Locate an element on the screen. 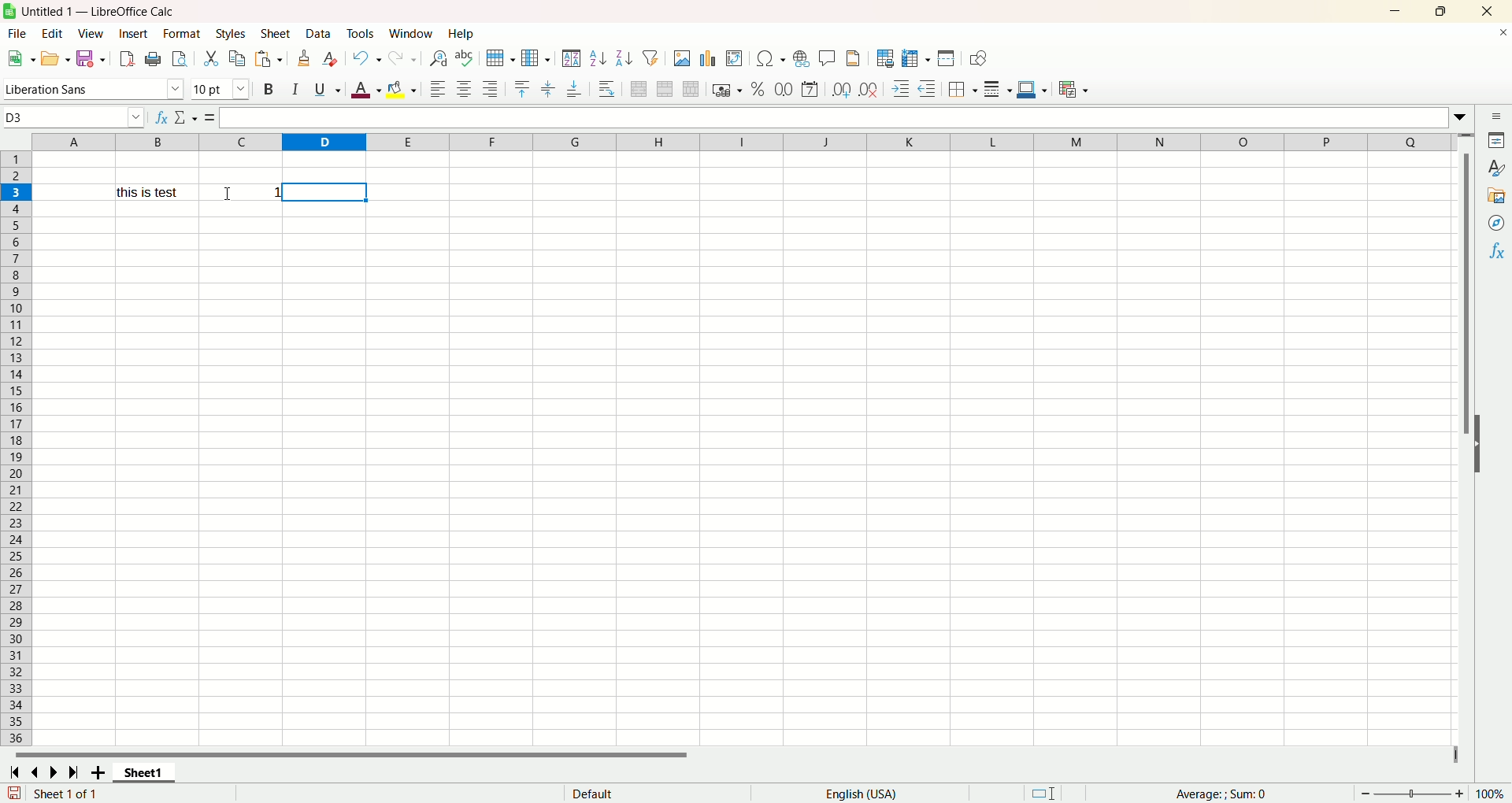 This screenshot has height=803, width=1512. bold  is located at coordinates (271, 88).